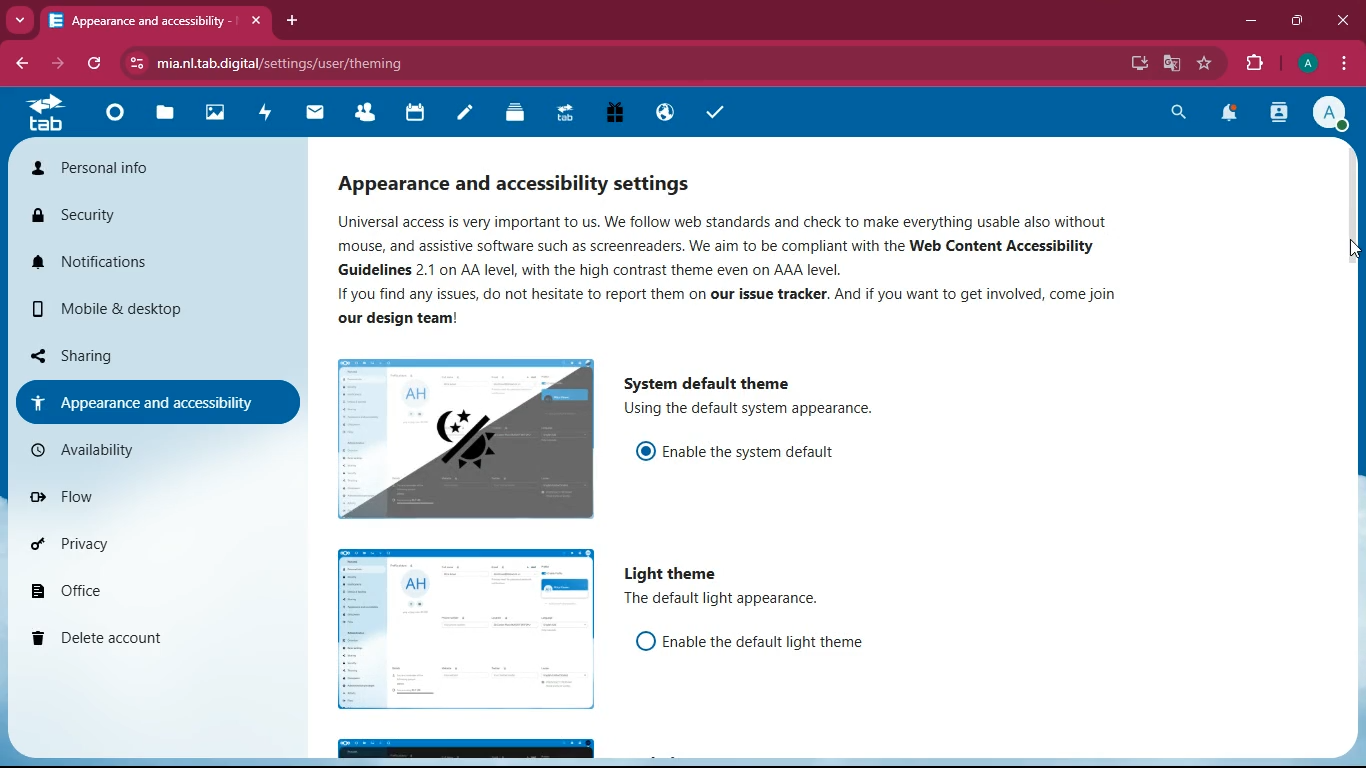  Describe the element at coordinates (316, 114) in the screenshot. I see `mail` at that location.